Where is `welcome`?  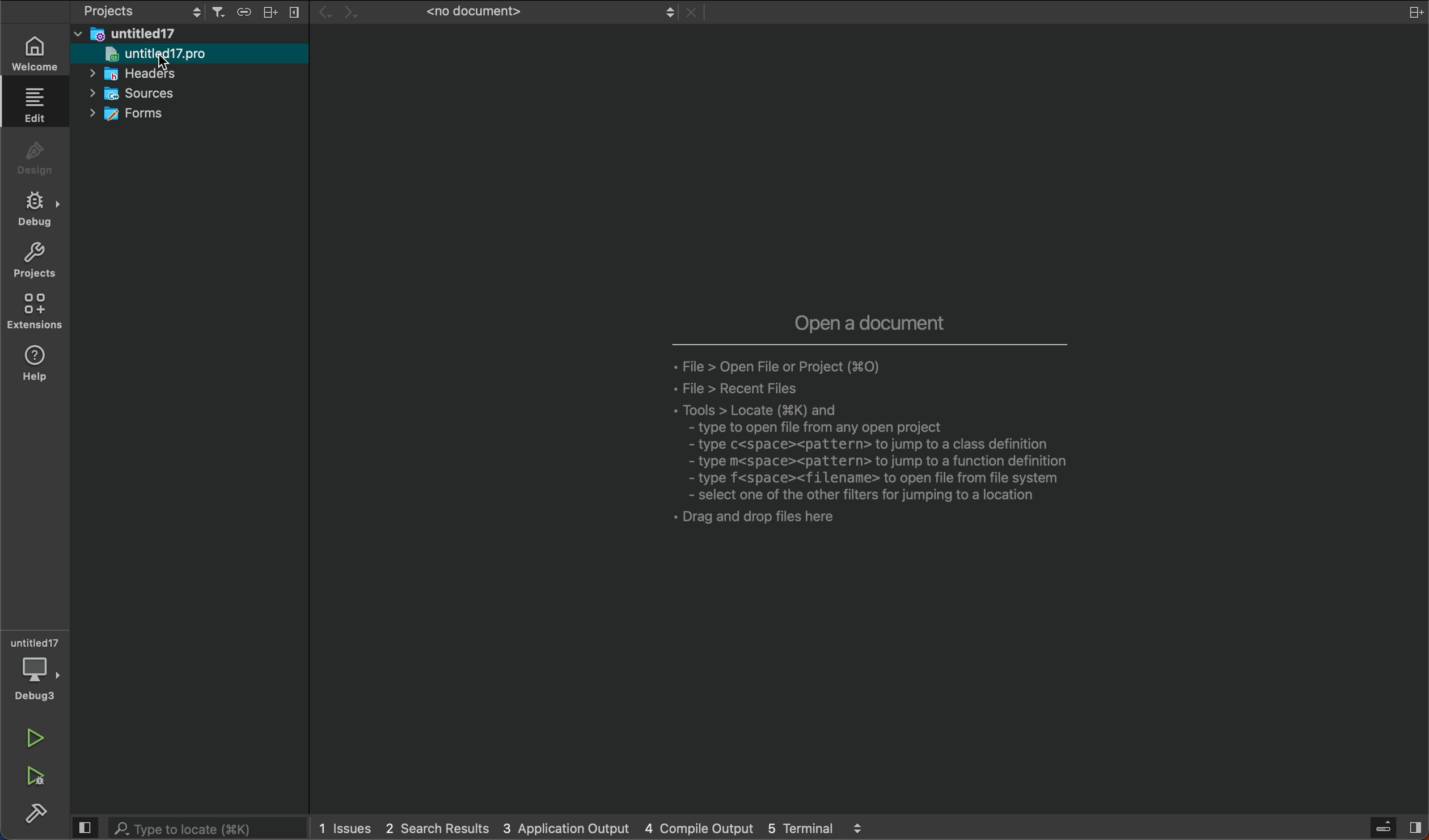 welcome is located at coordinates (41, 52).